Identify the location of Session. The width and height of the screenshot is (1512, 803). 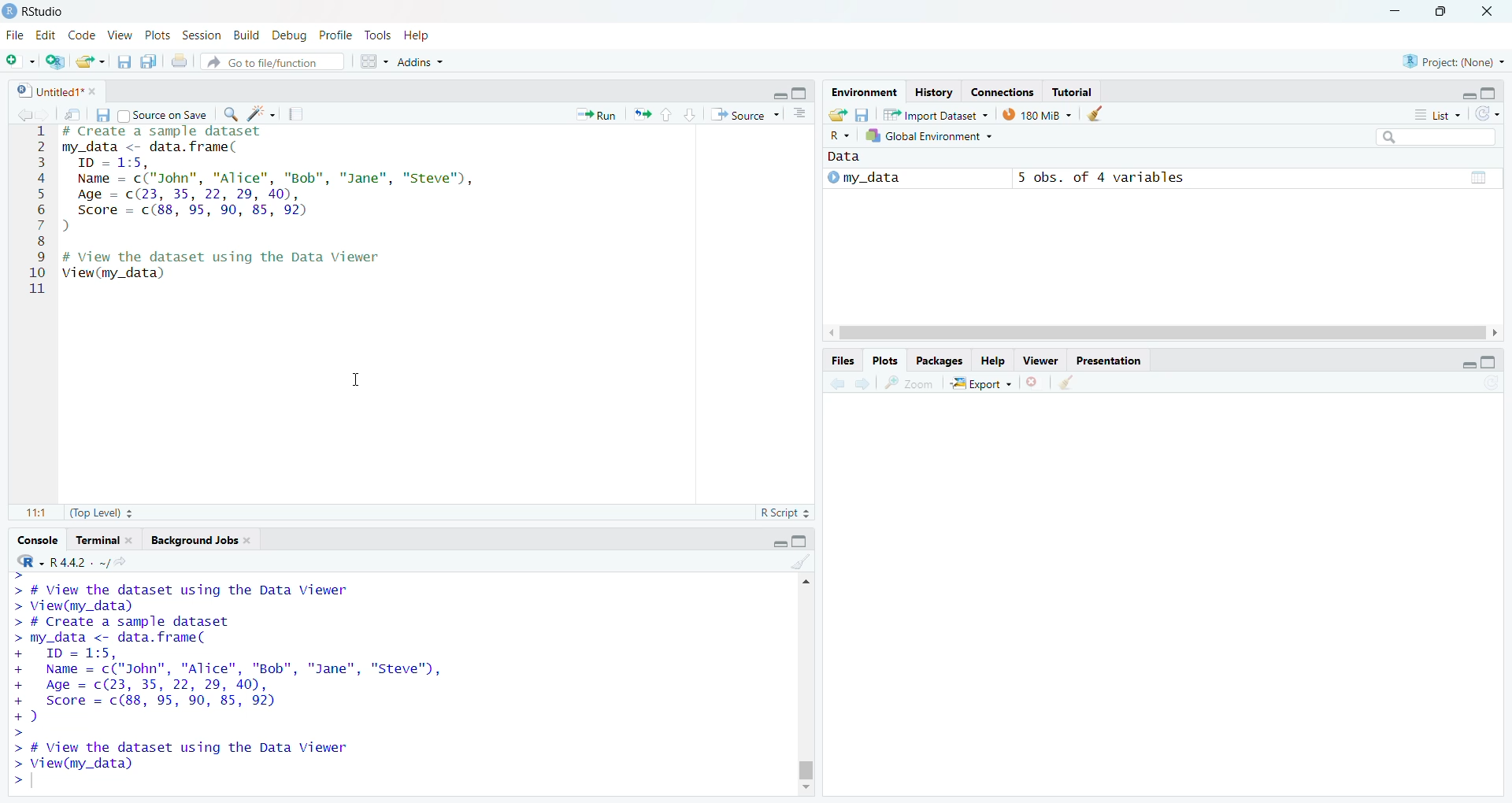
(203, 36).